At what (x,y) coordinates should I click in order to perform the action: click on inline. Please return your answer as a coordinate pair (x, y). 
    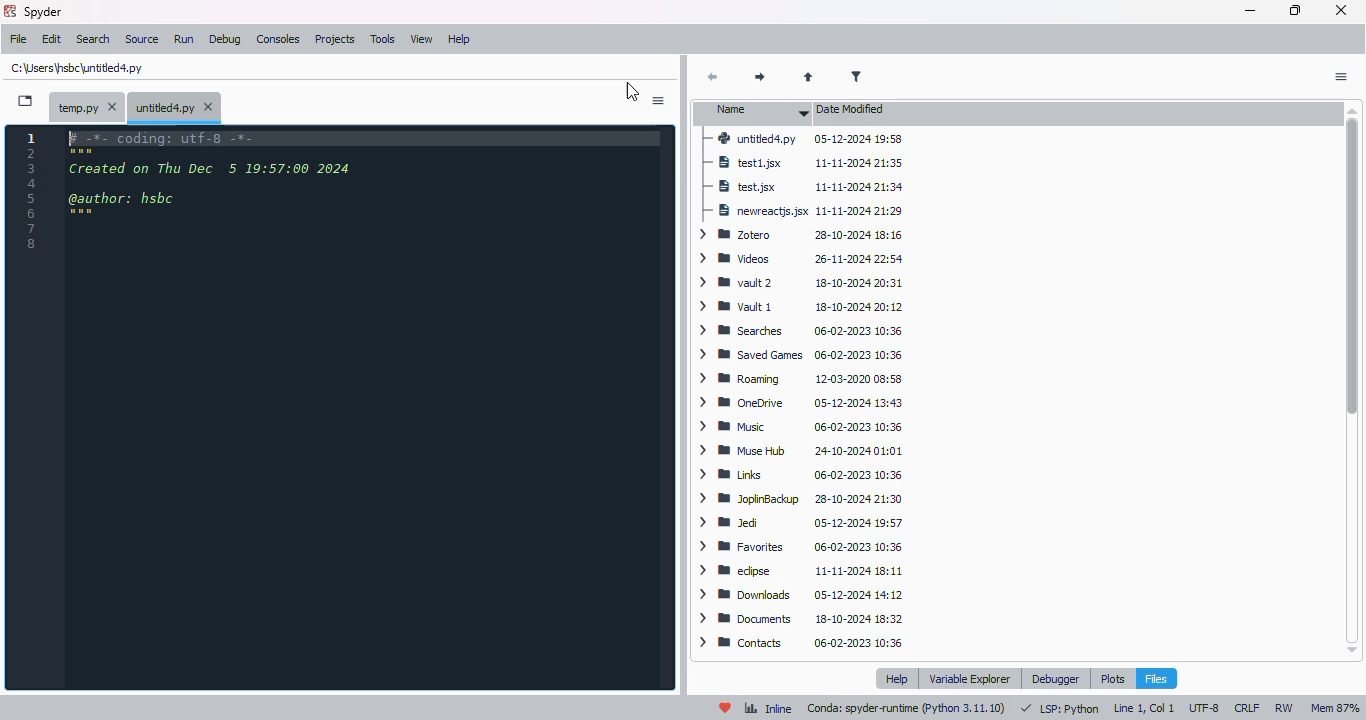
    Looking at the image, I should click on (768, 709).